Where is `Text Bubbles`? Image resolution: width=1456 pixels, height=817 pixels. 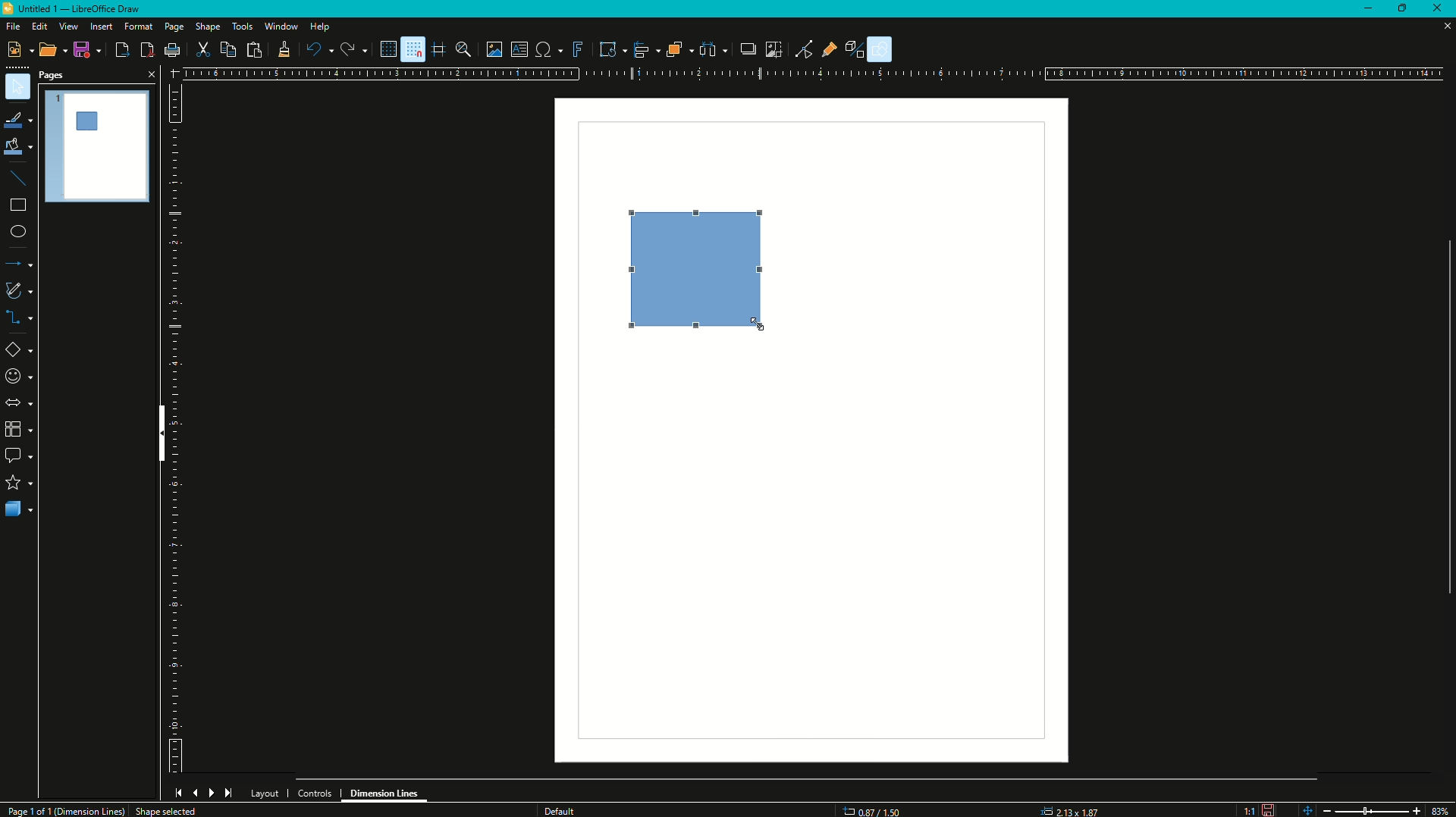
Text Bubbles is located at coordinates (20, 457).